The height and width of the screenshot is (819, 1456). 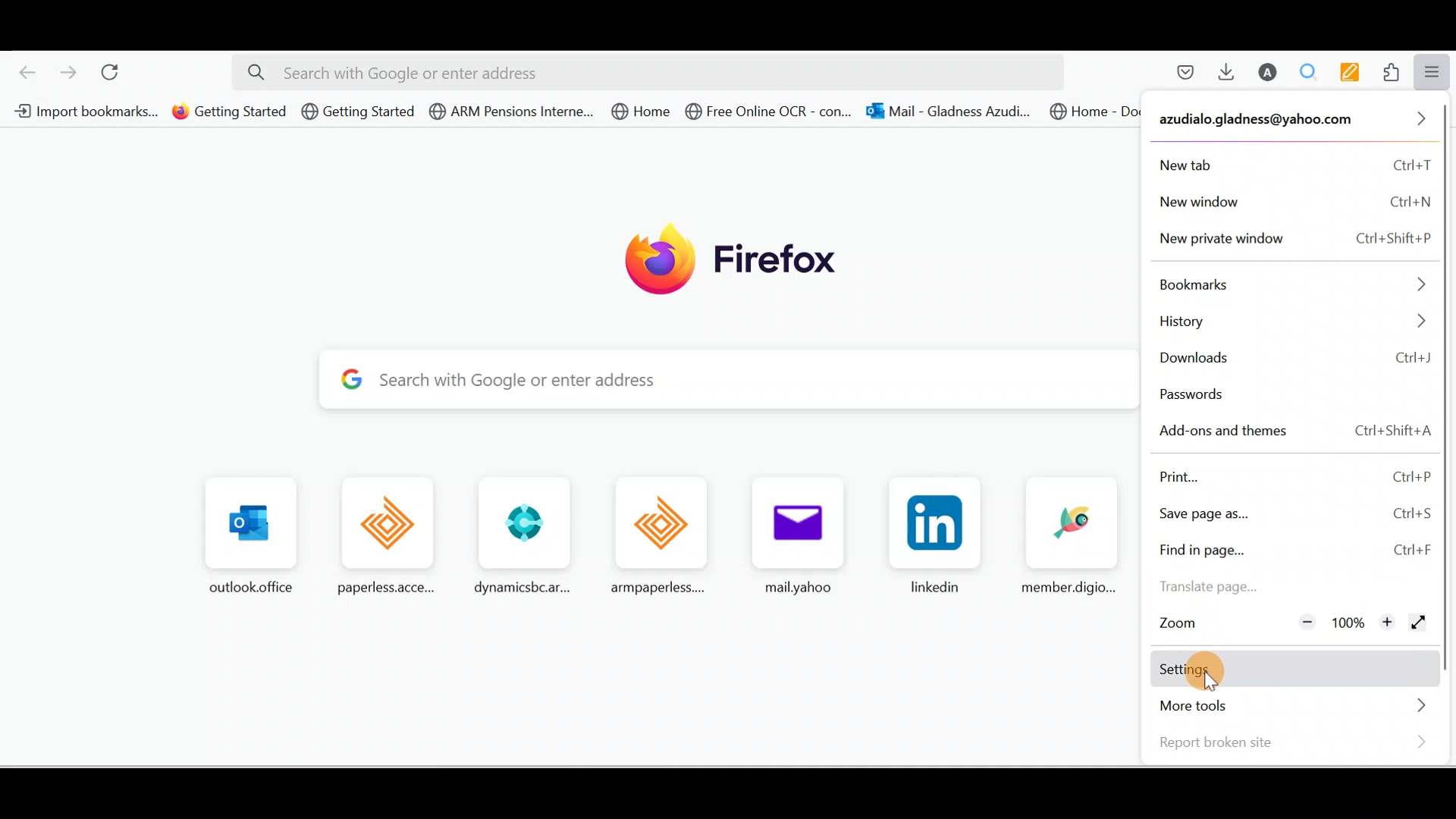 I want to click on Save to pocket, so click(x=1179, y=72).